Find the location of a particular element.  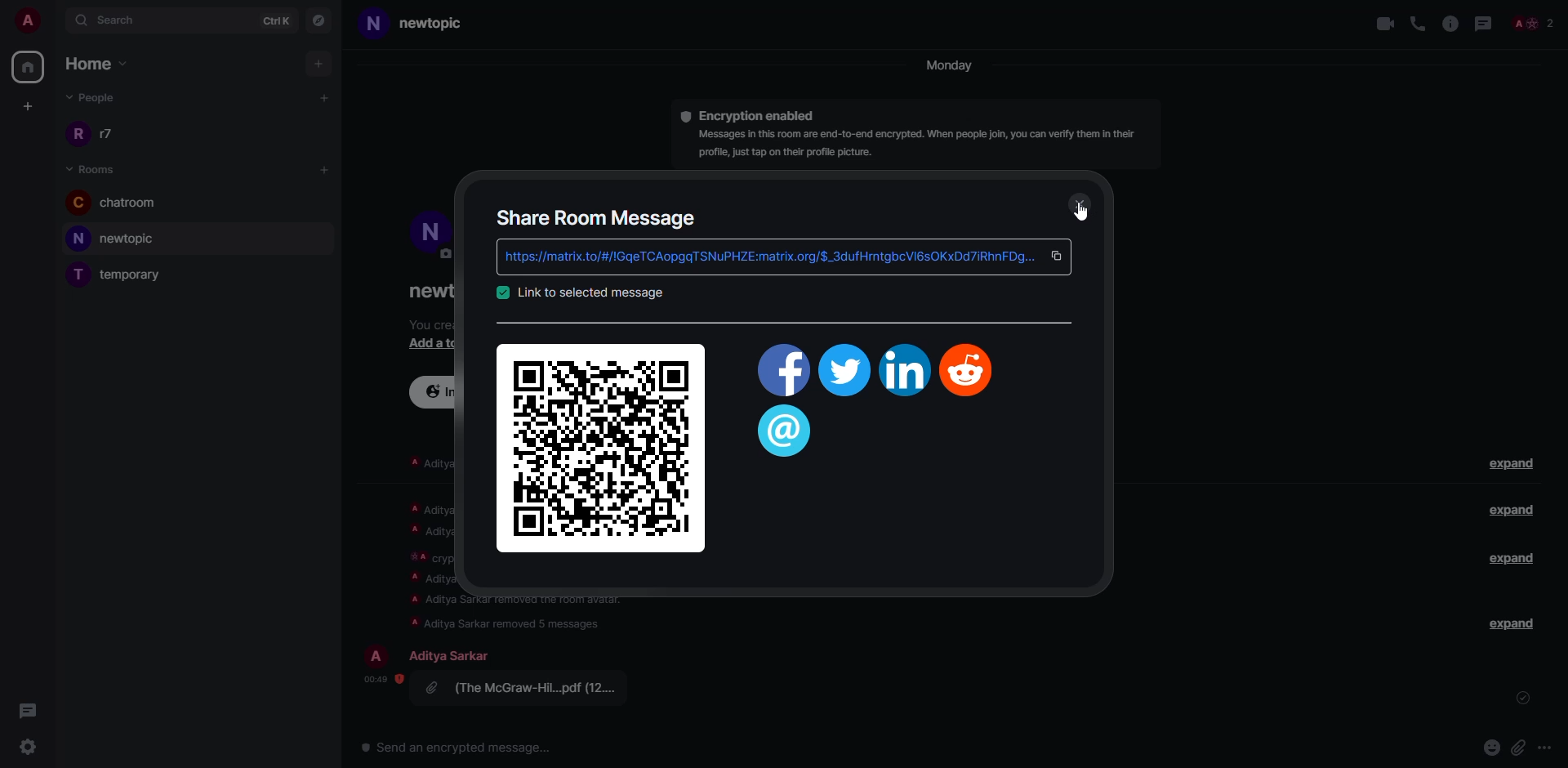

scroll bar is located at coordinates (1571, 490).